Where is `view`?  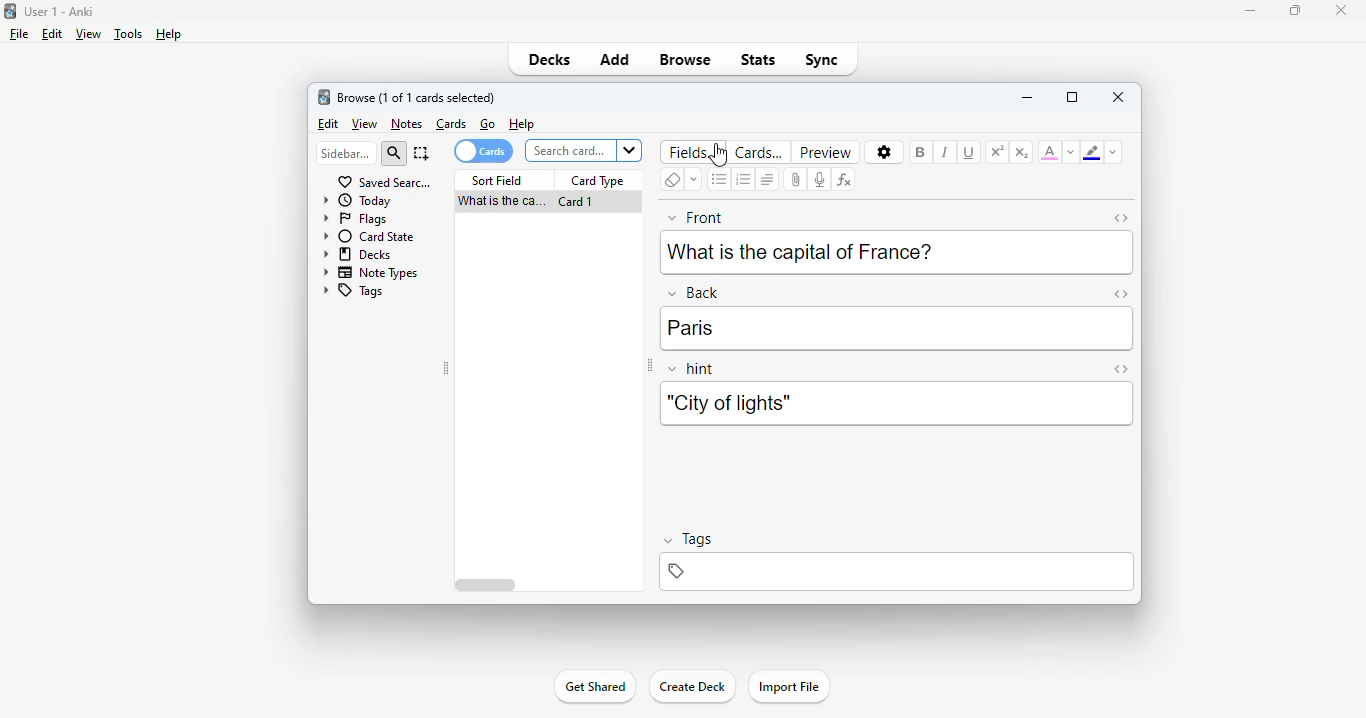
view is located at coordinates (88, 33).